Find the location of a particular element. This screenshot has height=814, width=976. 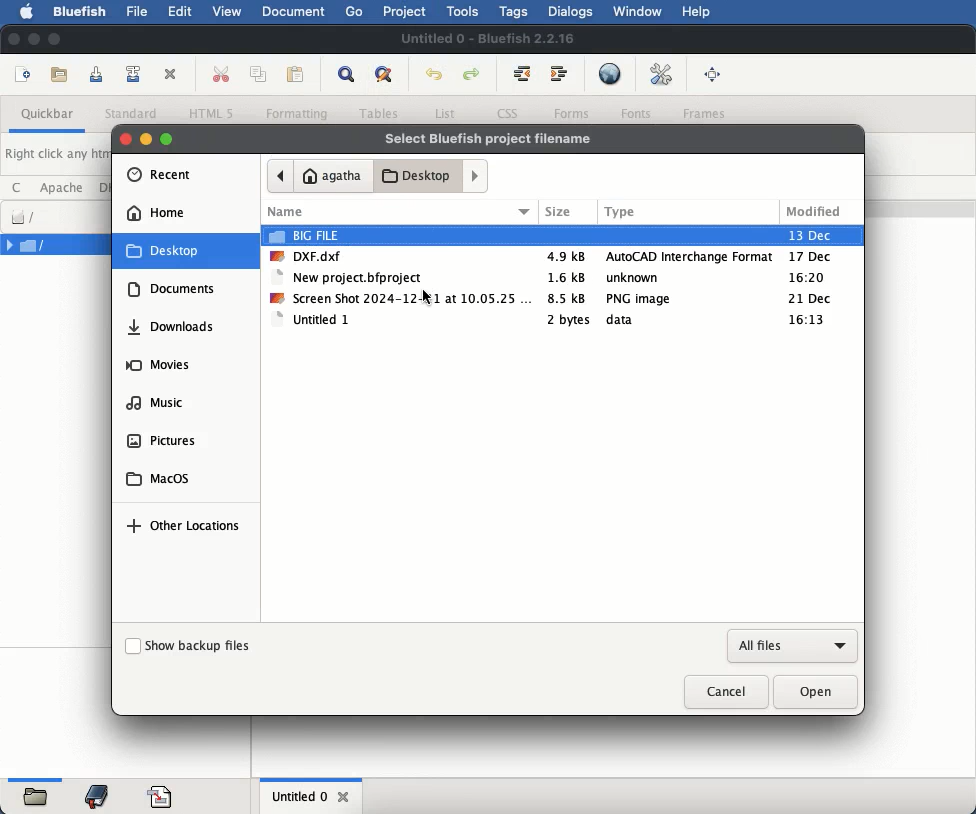

new file is located at coordinates (25, 75).